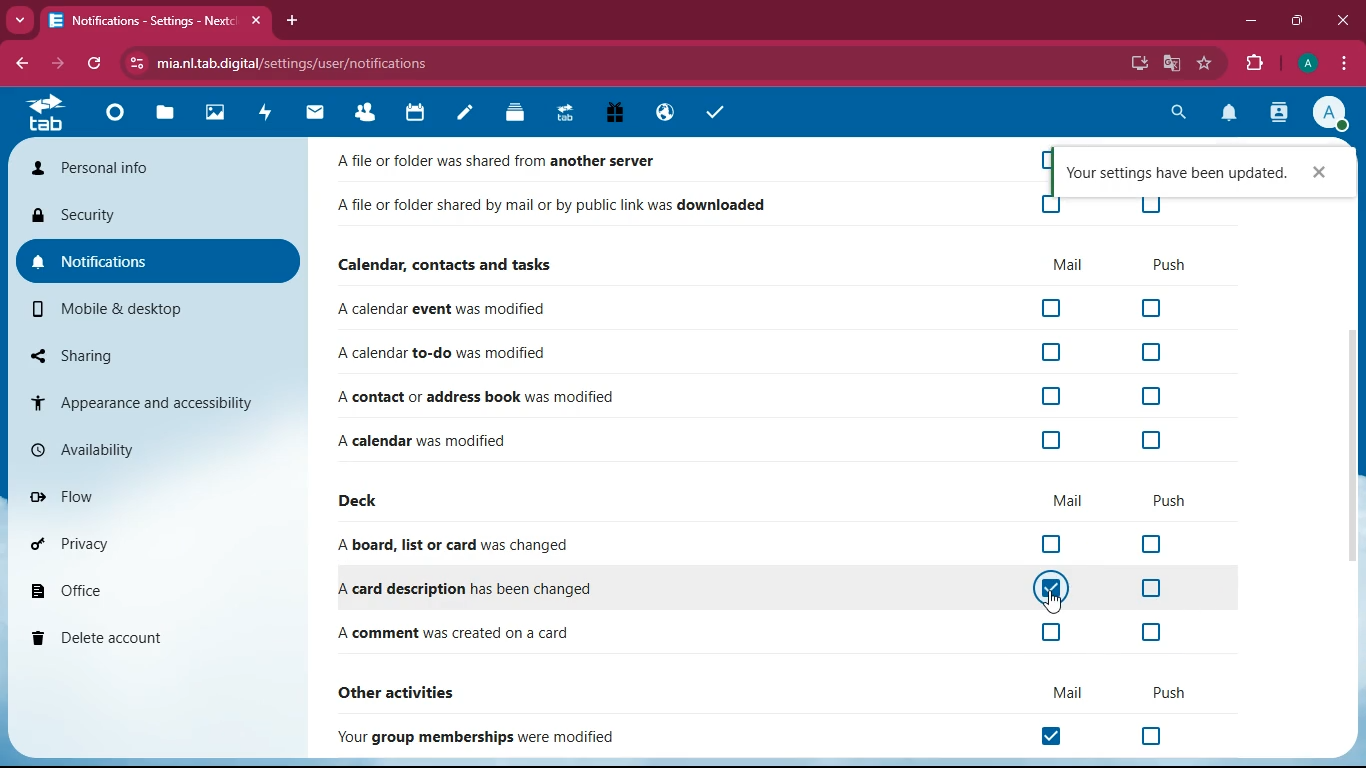  Describe the element at coordinates (1149, 634) in the screenshot. I see `off` at that location.